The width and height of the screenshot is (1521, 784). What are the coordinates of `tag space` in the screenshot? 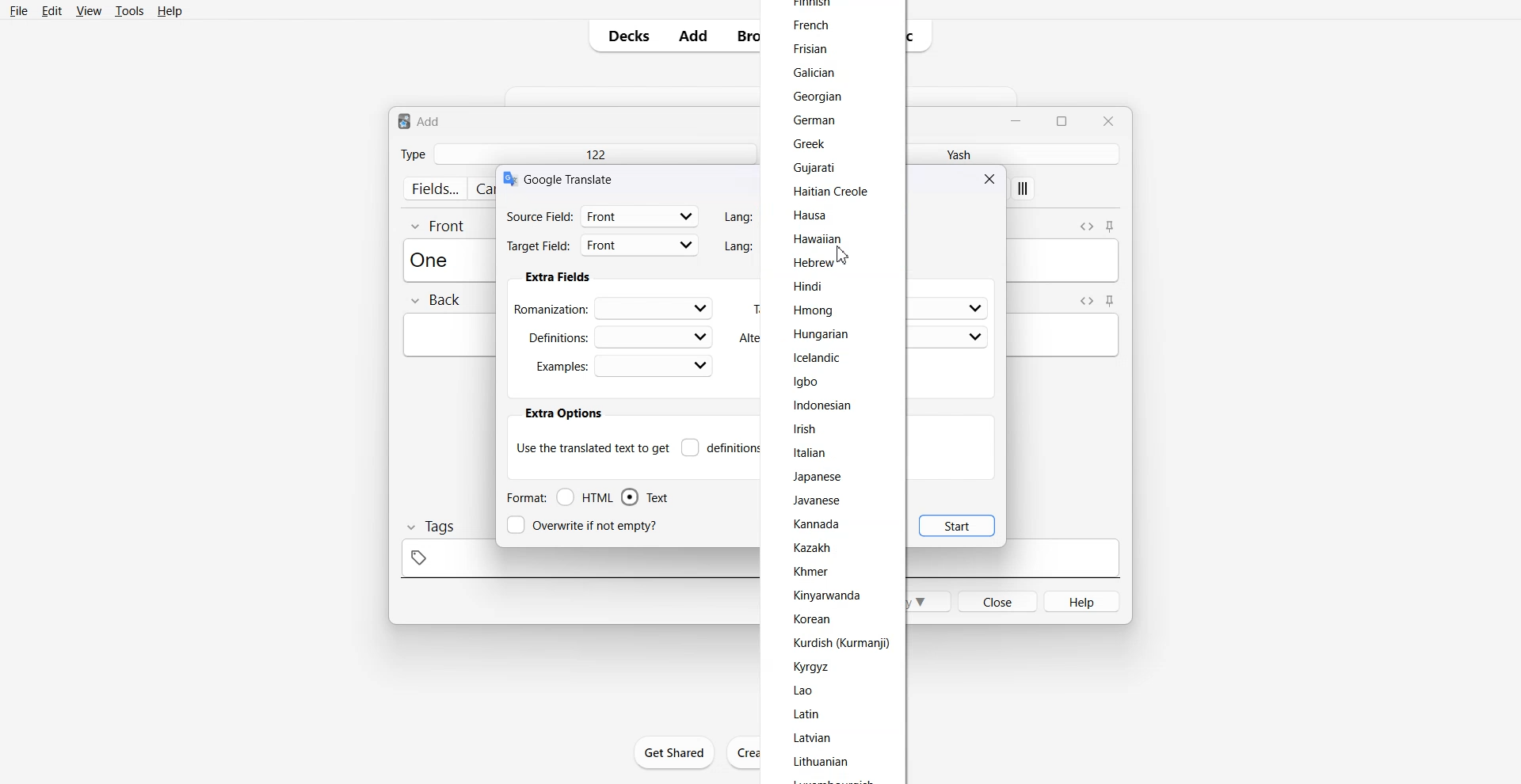 It's located at (575, 563).